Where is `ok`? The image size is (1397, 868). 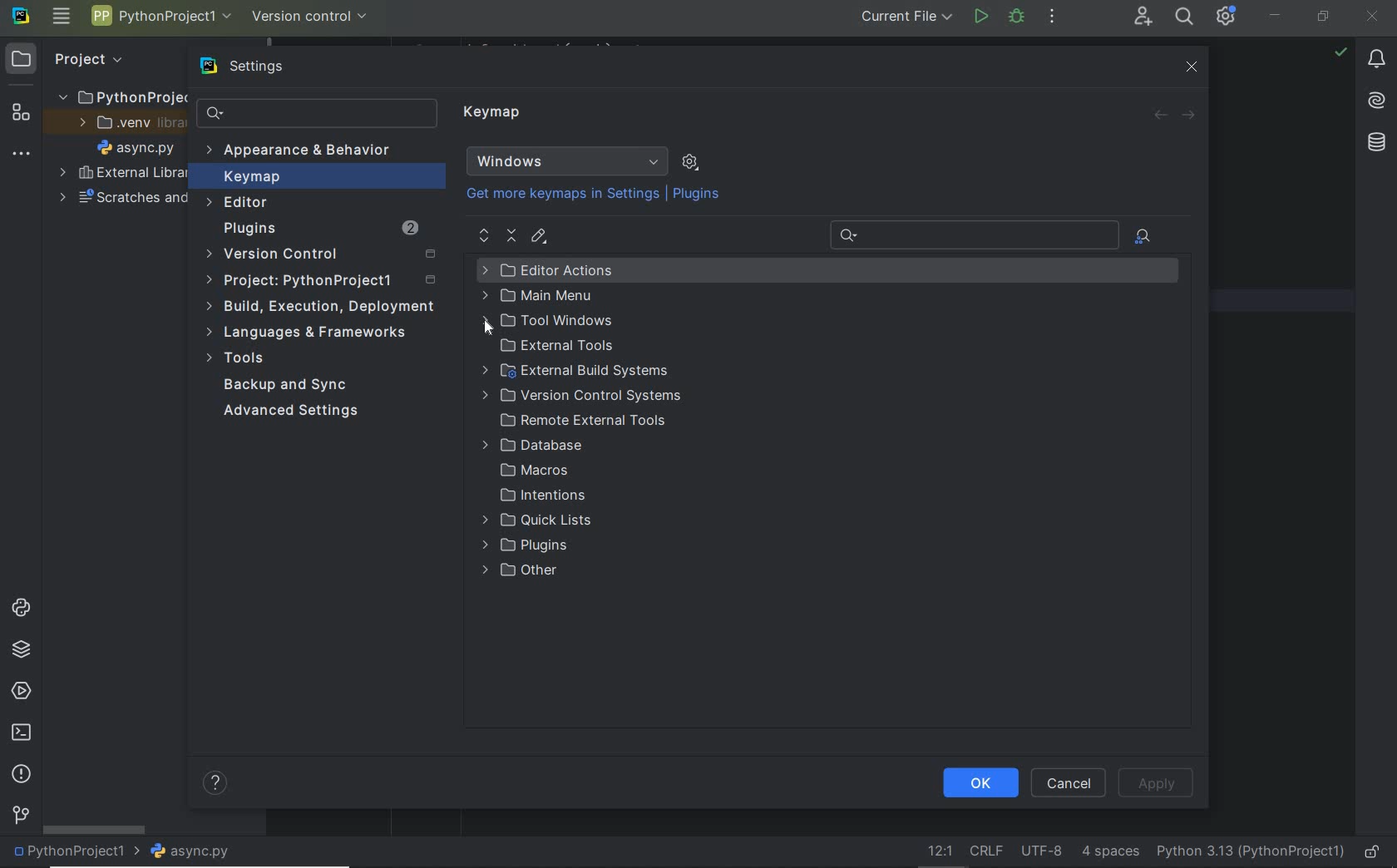 ok is located at coordinates (979, 783).